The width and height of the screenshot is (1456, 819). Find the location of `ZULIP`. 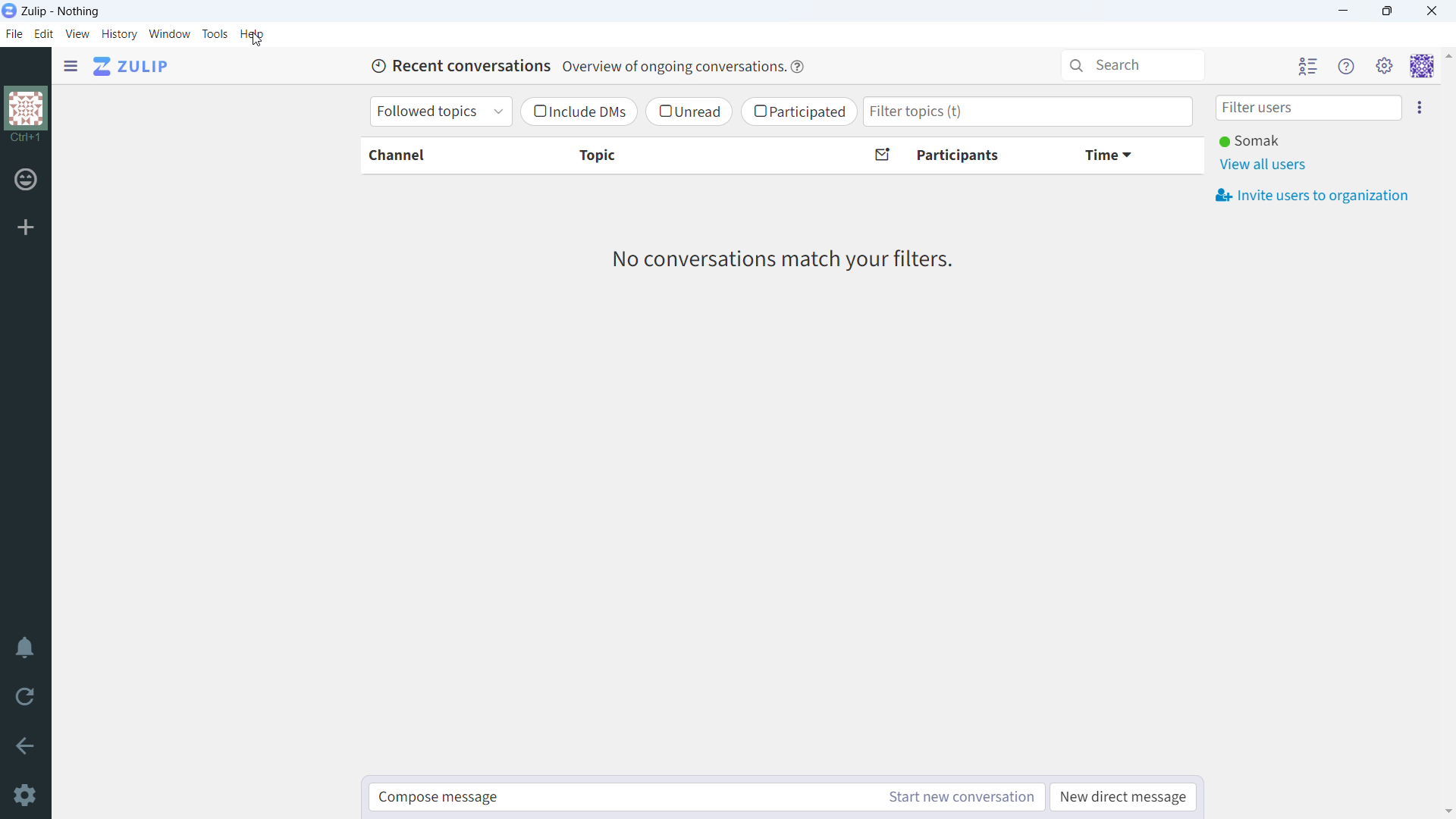

ZULIP is located at coordinates (130, 66).